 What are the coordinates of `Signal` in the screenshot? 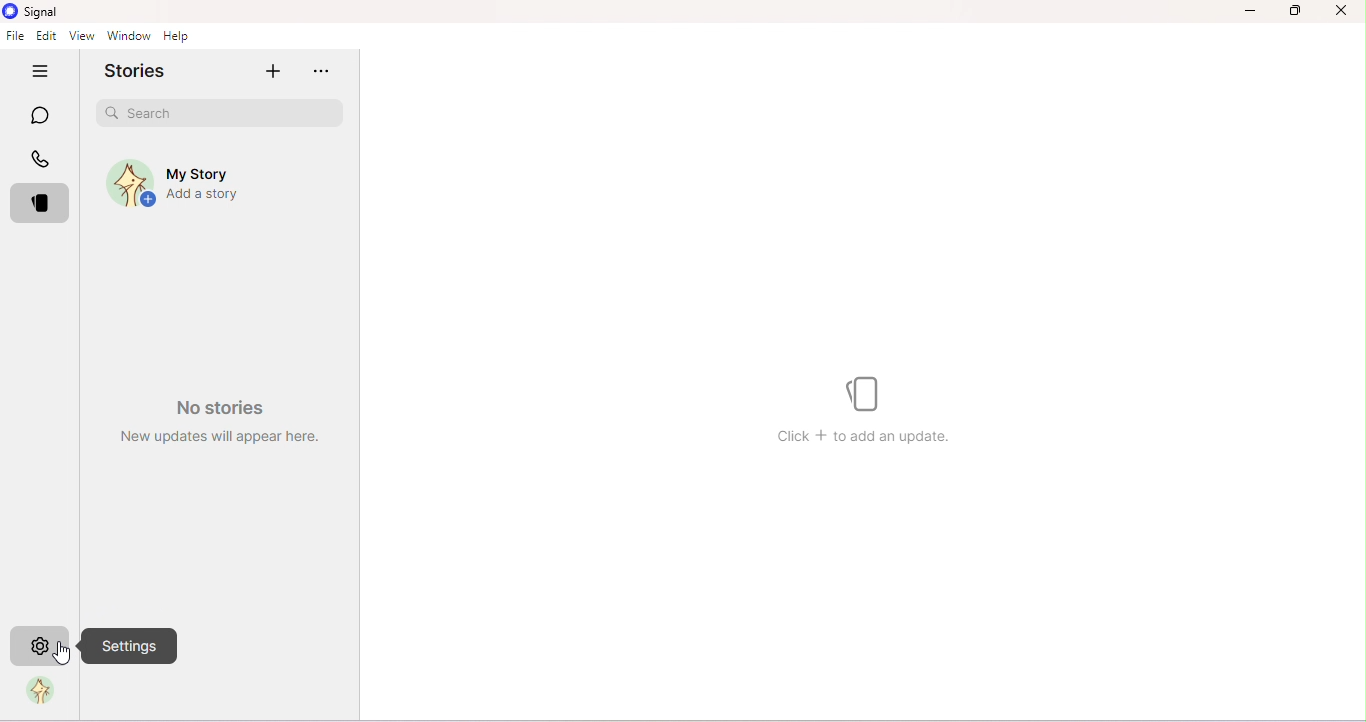 It's located at (38, 12).